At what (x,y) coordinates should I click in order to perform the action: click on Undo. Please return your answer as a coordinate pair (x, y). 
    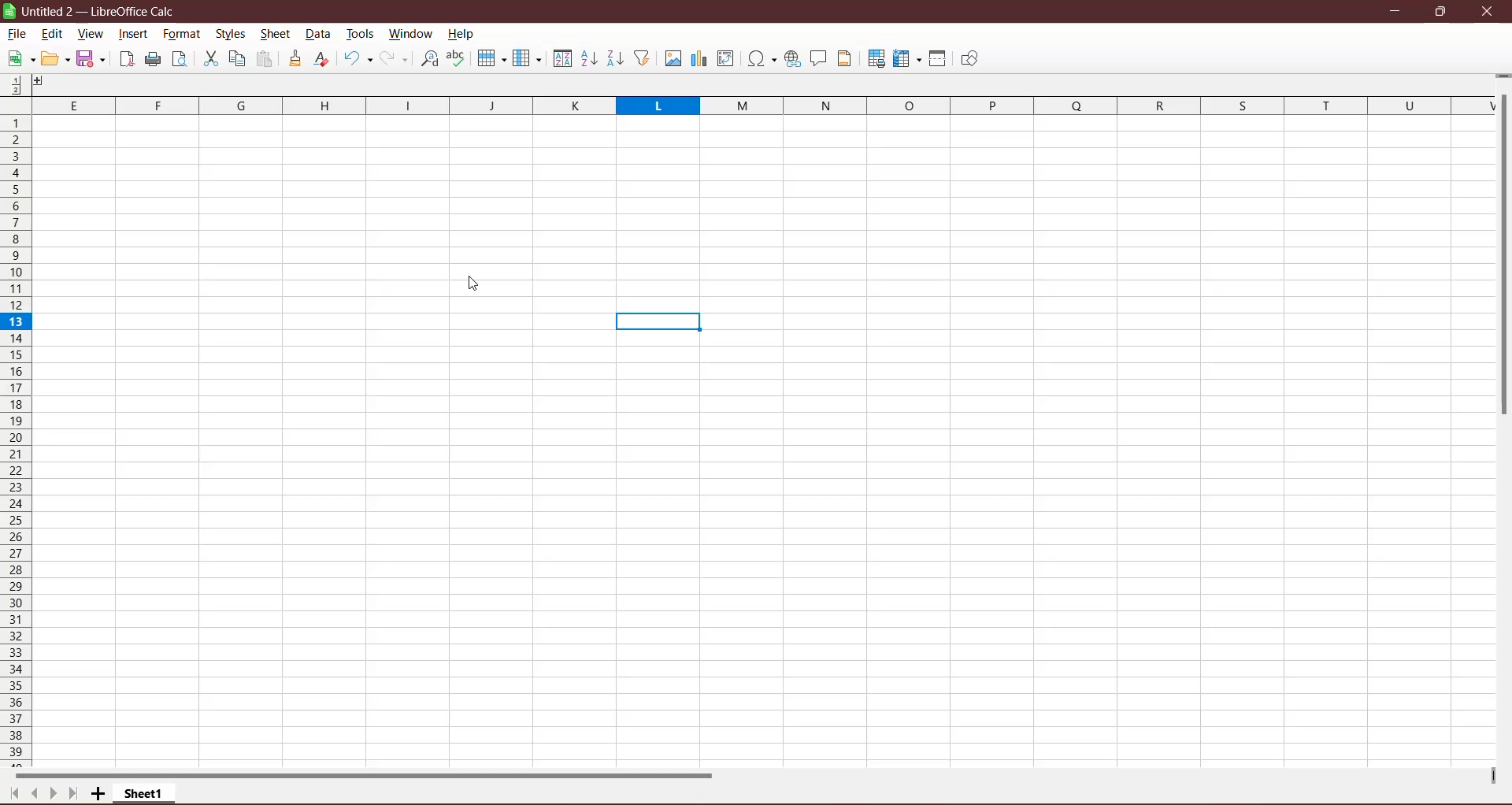
    Looking at the image, I should click on (358, 60).